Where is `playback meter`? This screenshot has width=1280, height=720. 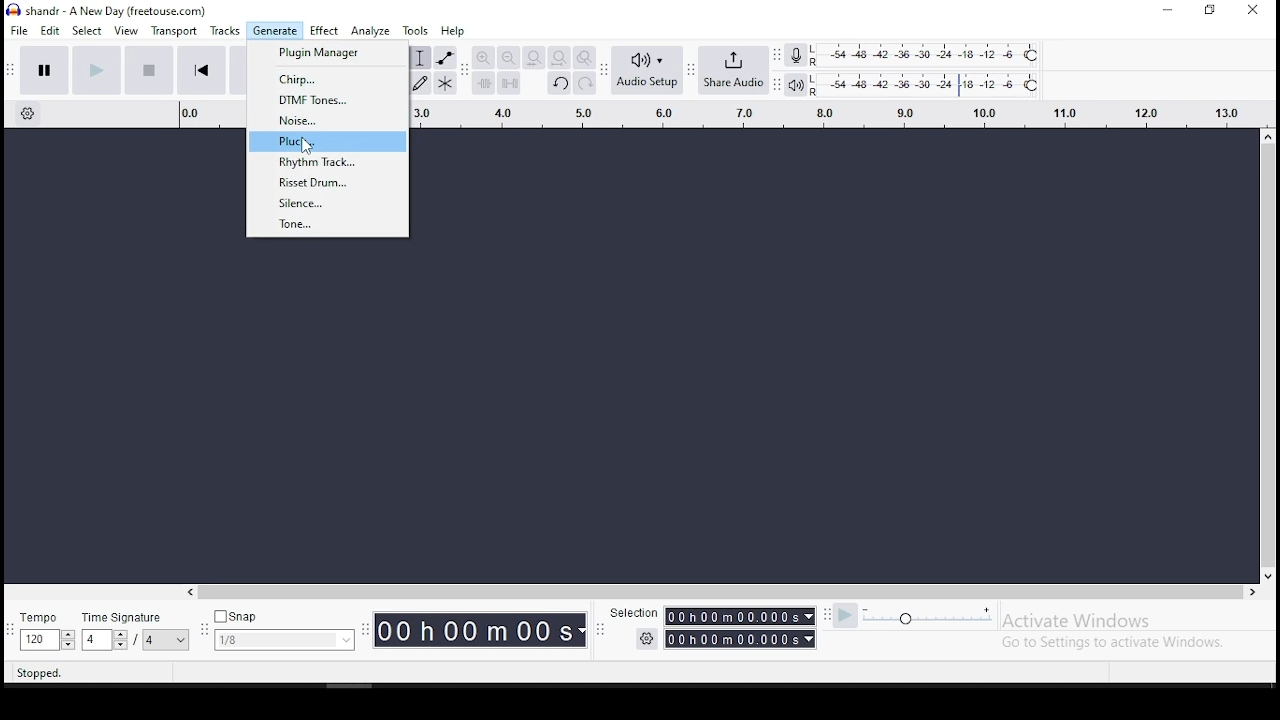
playback meter is located at coordinates (796, 83).